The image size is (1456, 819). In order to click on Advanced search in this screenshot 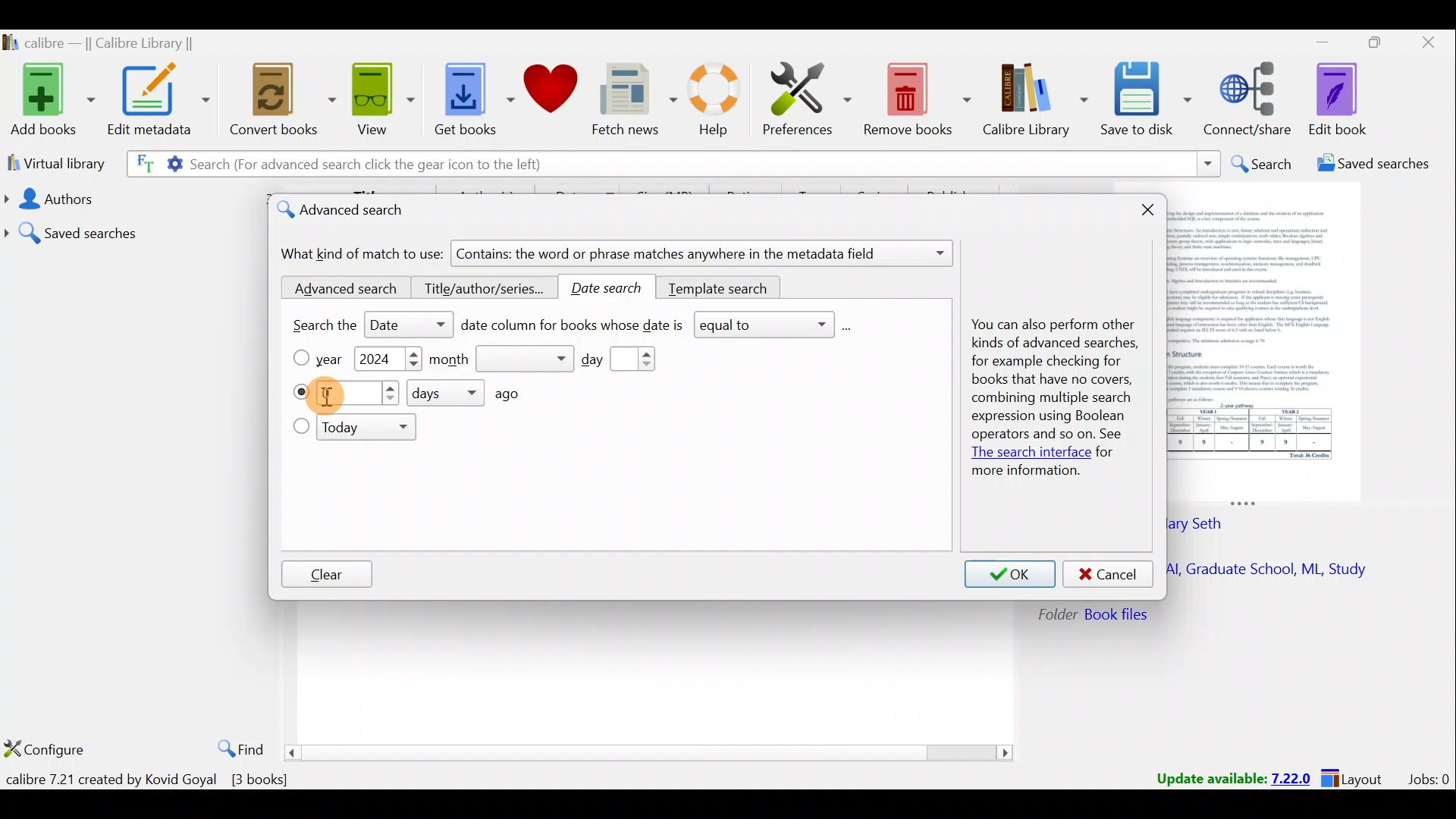, I will do `click(340, 289)`.